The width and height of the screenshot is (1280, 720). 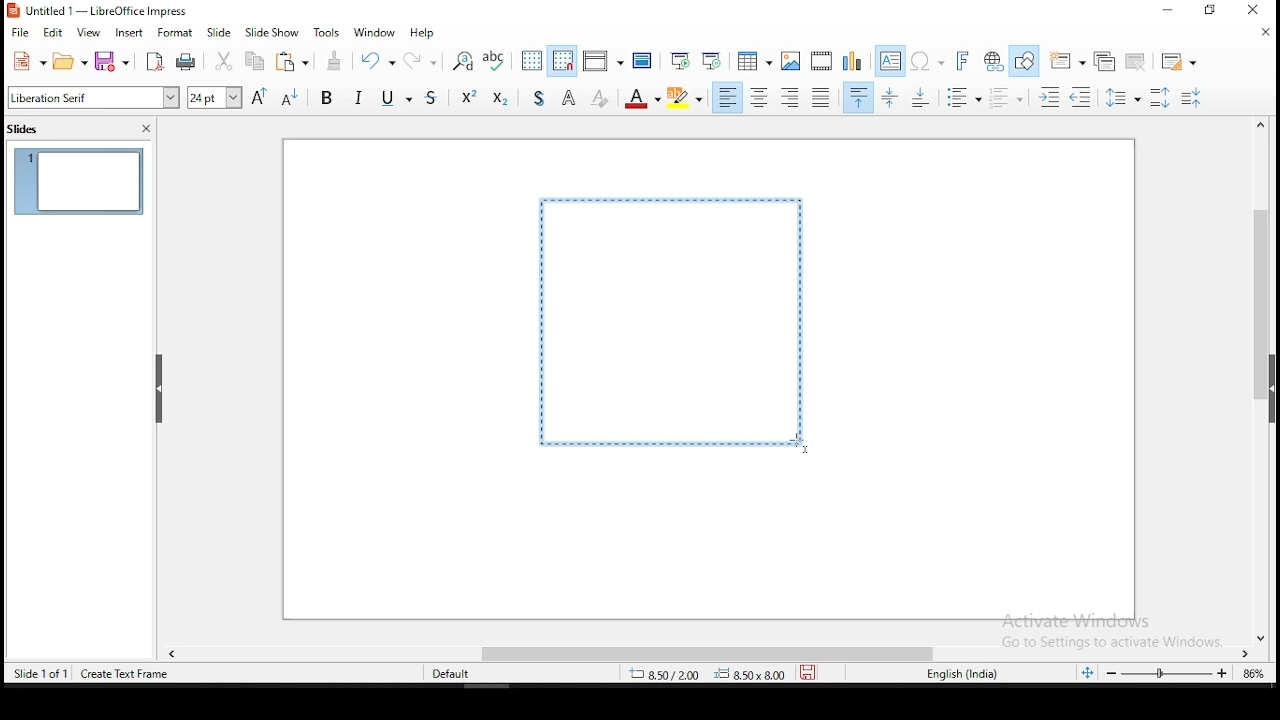 What do you see at coordinates (1193, 98) in the screenshot?
I see `decrease paragraph spacing` at bounding box center [1193, 98].